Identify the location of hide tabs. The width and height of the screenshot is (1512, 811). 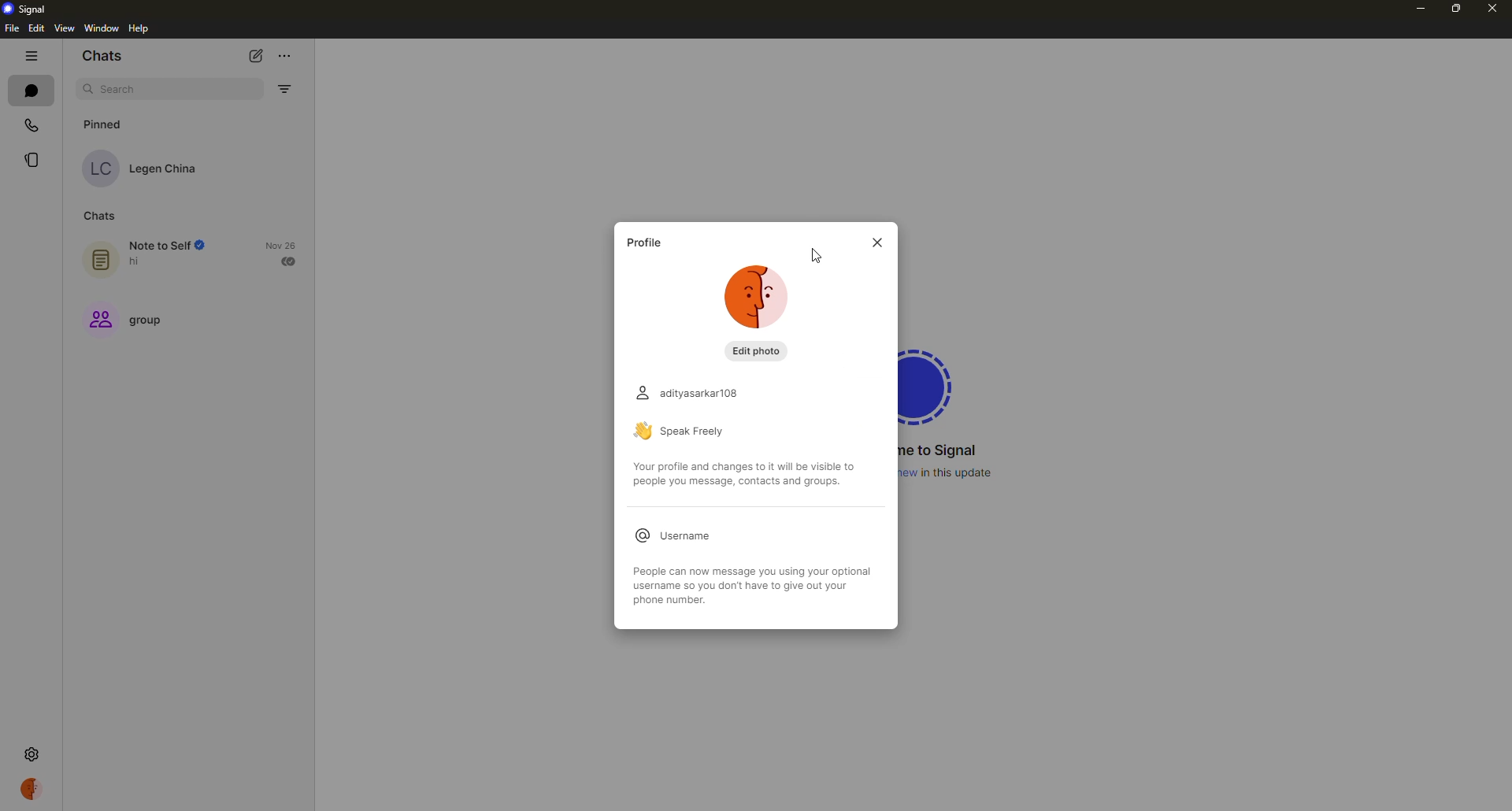
(31, 55).